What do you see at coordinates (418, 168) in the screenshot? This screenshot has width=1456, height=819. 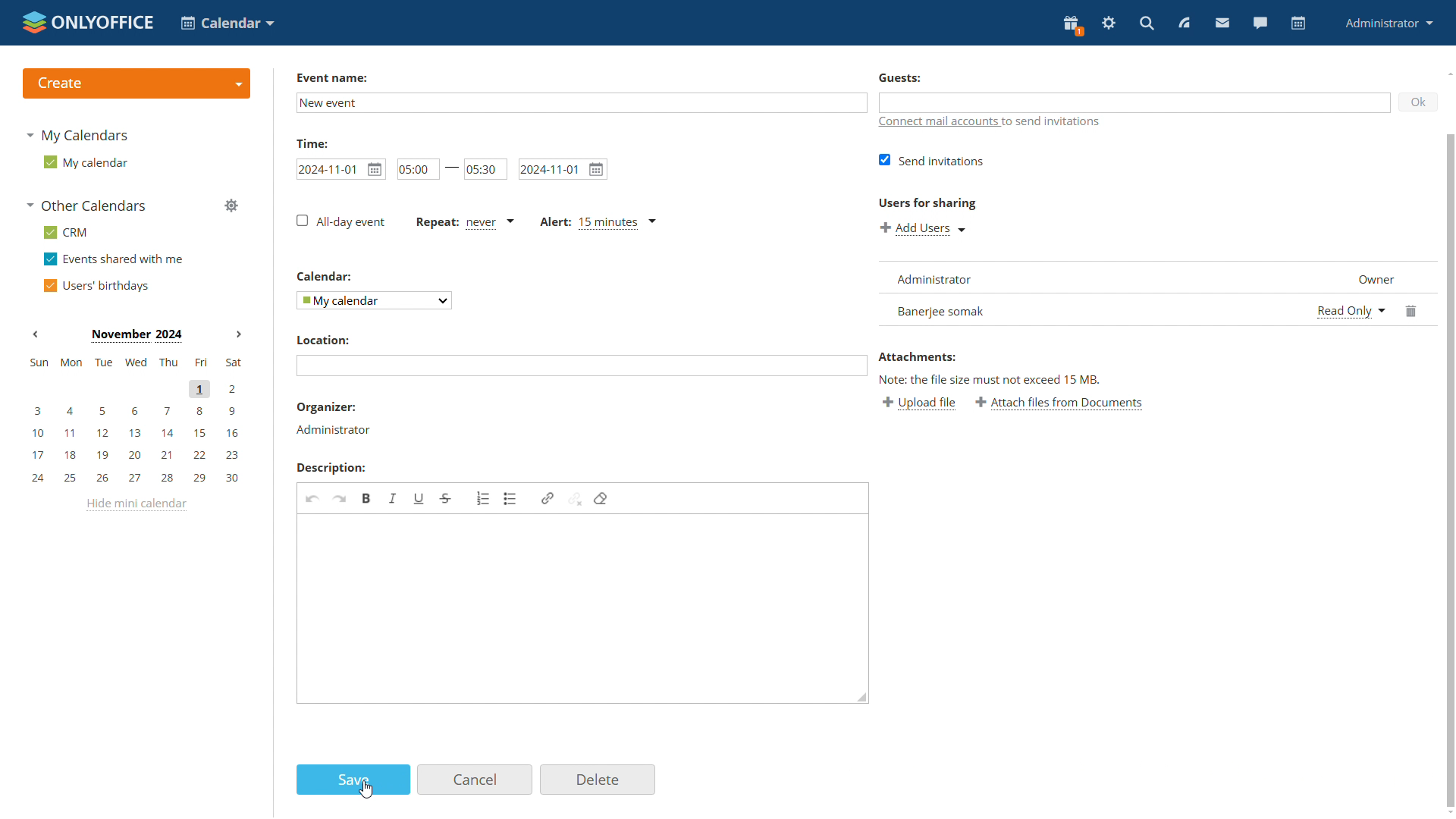 I see `Set start time` at bounding box center [418, 168].